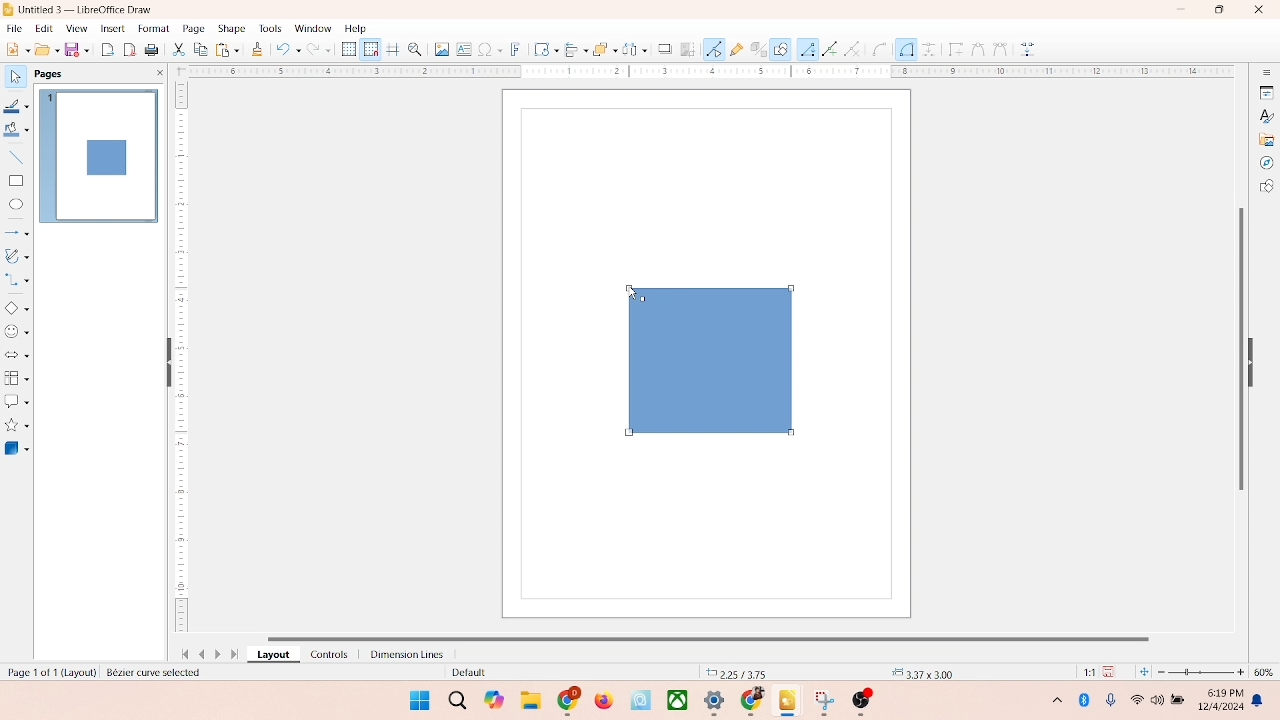 This screenshot has height=720, width=1280. What do you see at coordinates (17, 356) in the screenshot?
I see `block arrow` at bounding box center [17, 356].